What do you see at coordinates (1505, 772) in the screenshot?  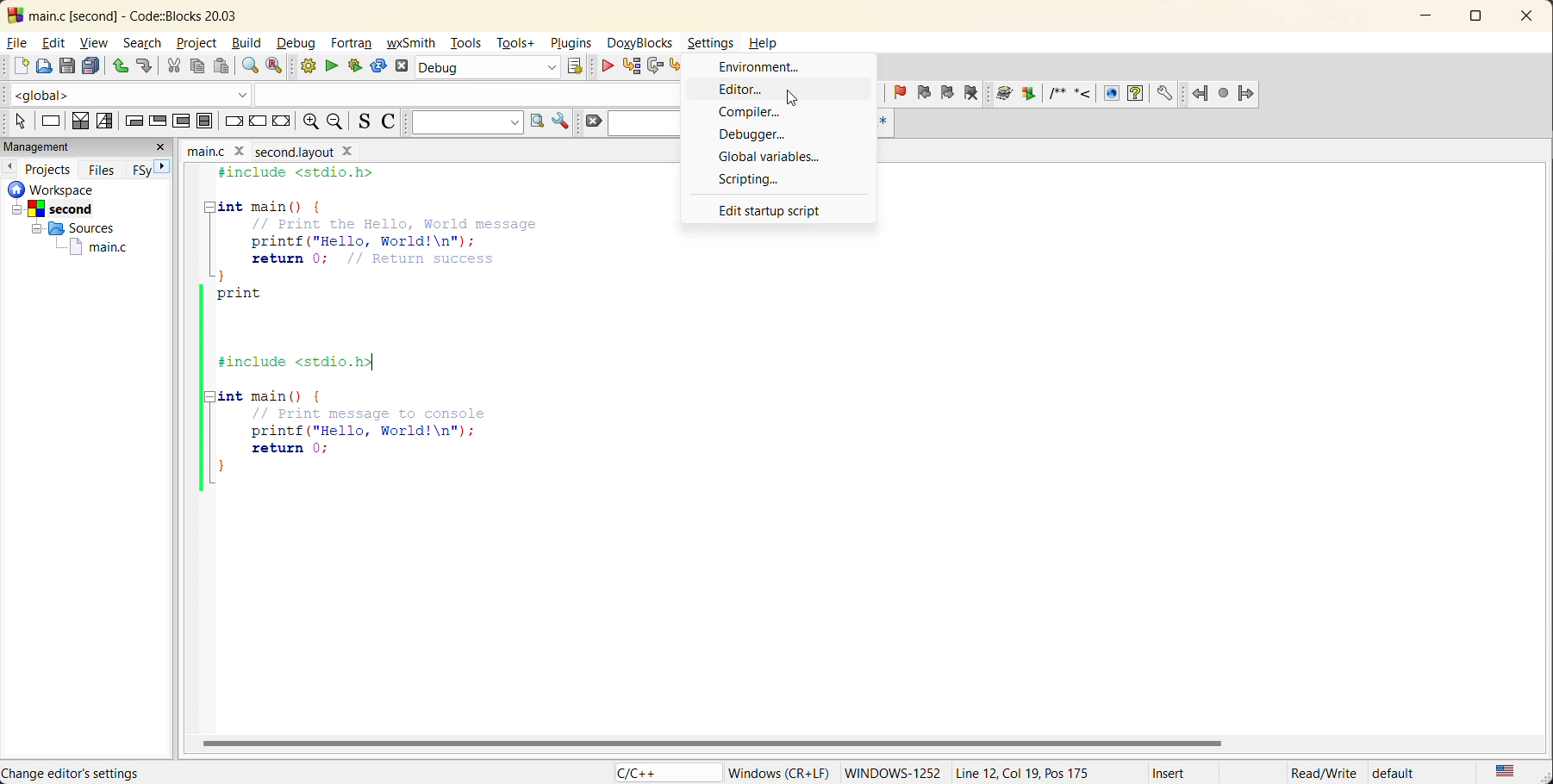 I see `text language` at bounding box center [1505, 772].